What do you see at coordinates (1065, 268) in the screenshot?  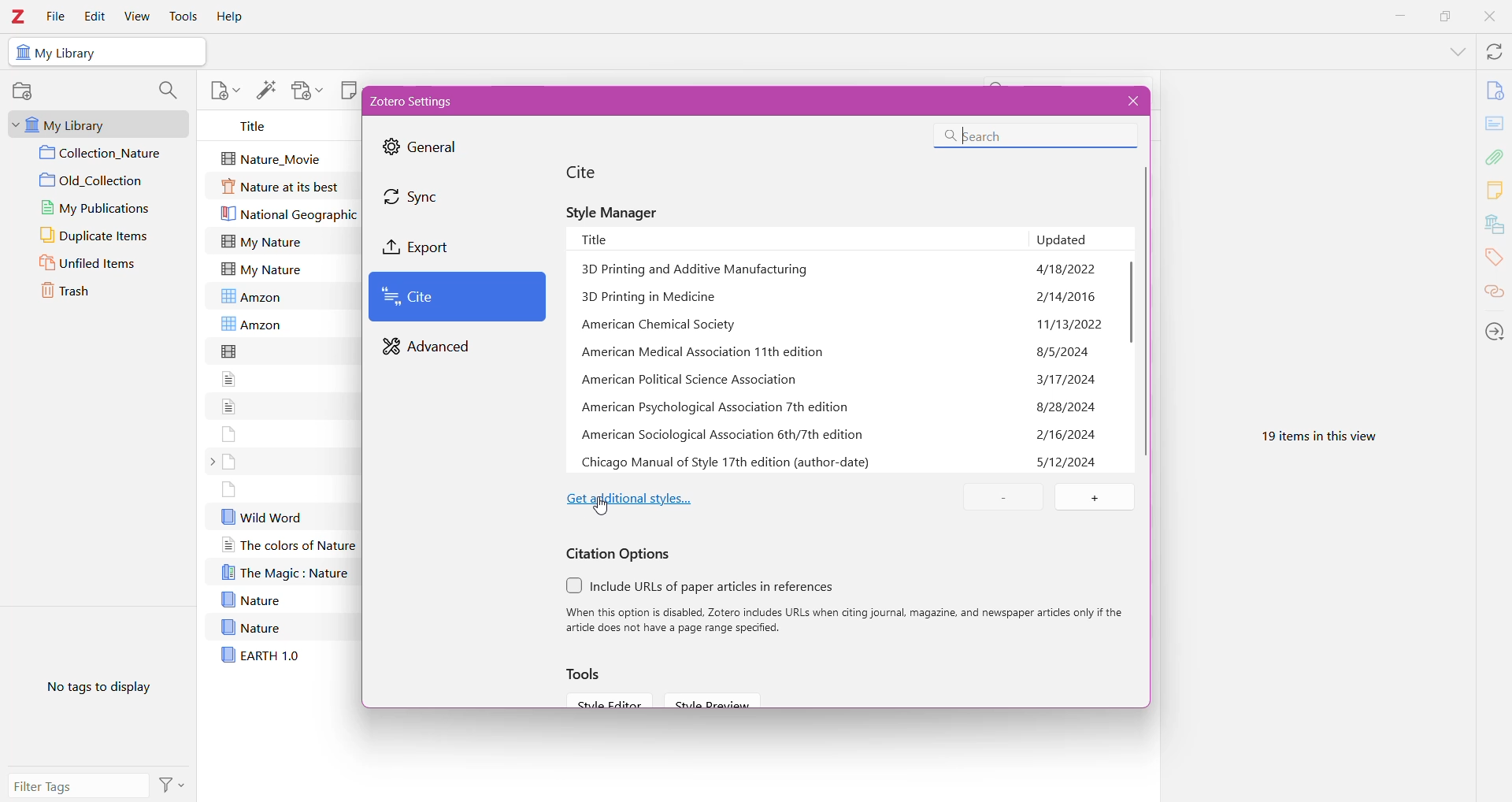 I see `4/18/2022` at bounding box center [1065, 268].